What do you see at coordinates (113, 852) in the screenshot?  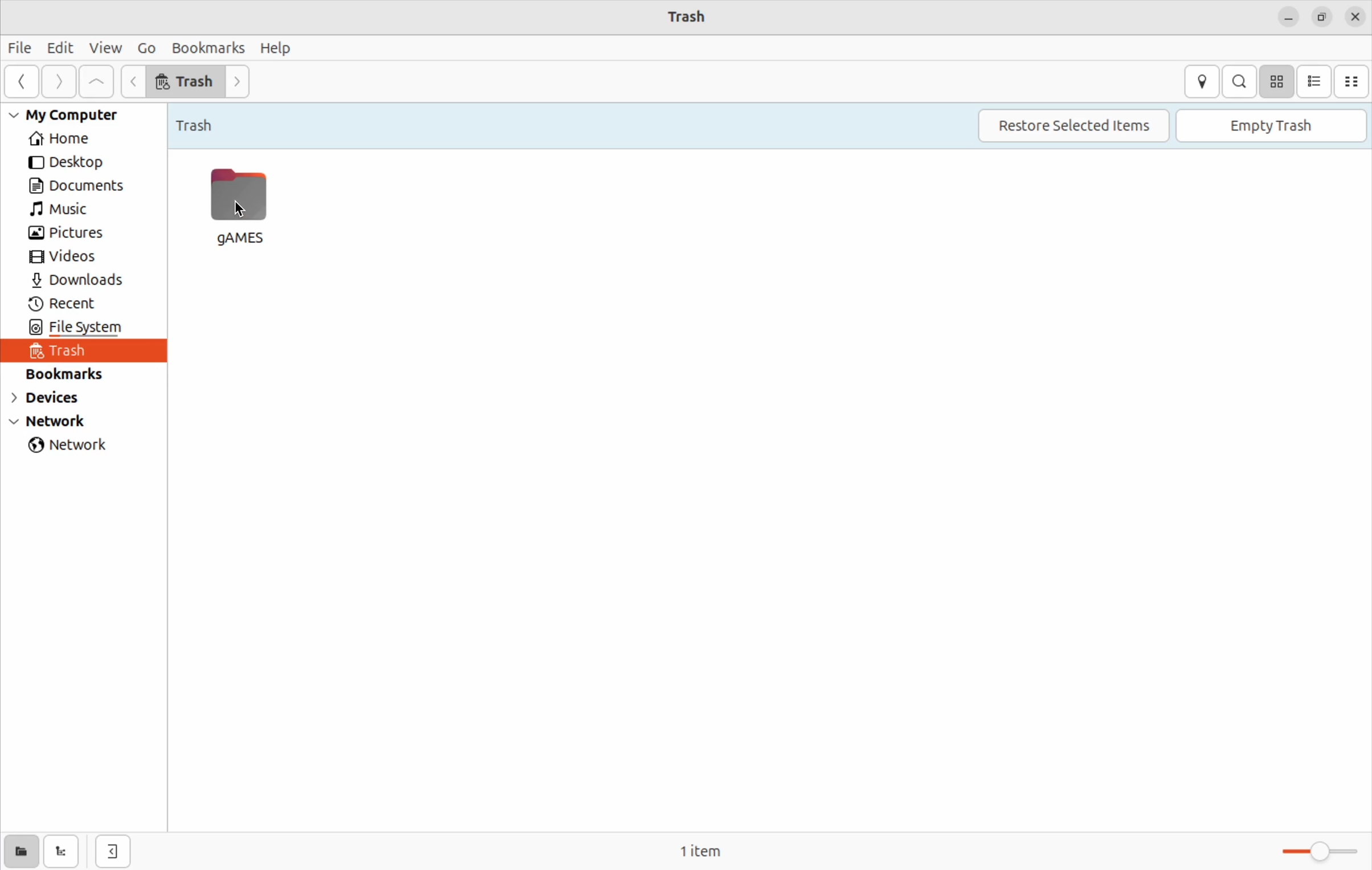 I see `hid side bar` at bounding box center [113, 852].